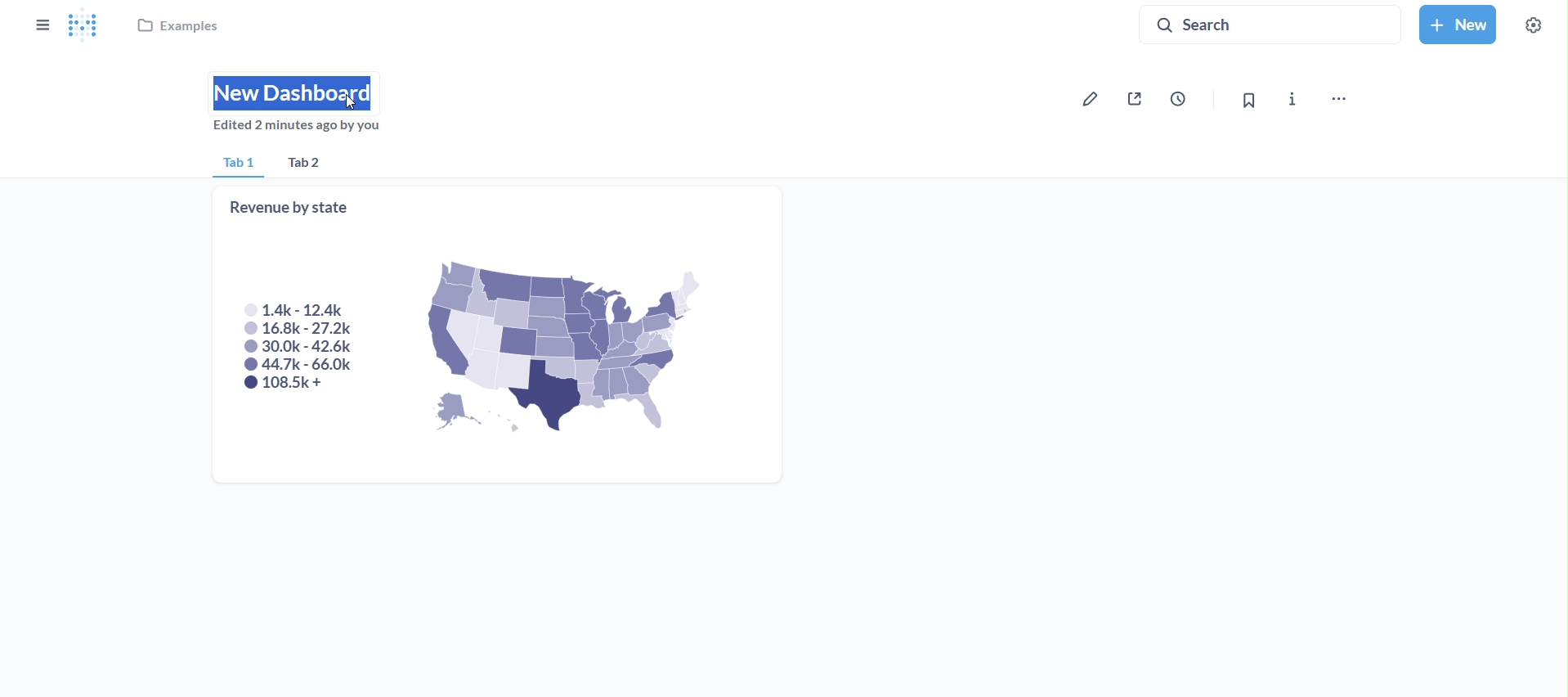 Image resolution: width=1568 pixels, height=697 pixels. I want to click on search, so click(1269, 25).